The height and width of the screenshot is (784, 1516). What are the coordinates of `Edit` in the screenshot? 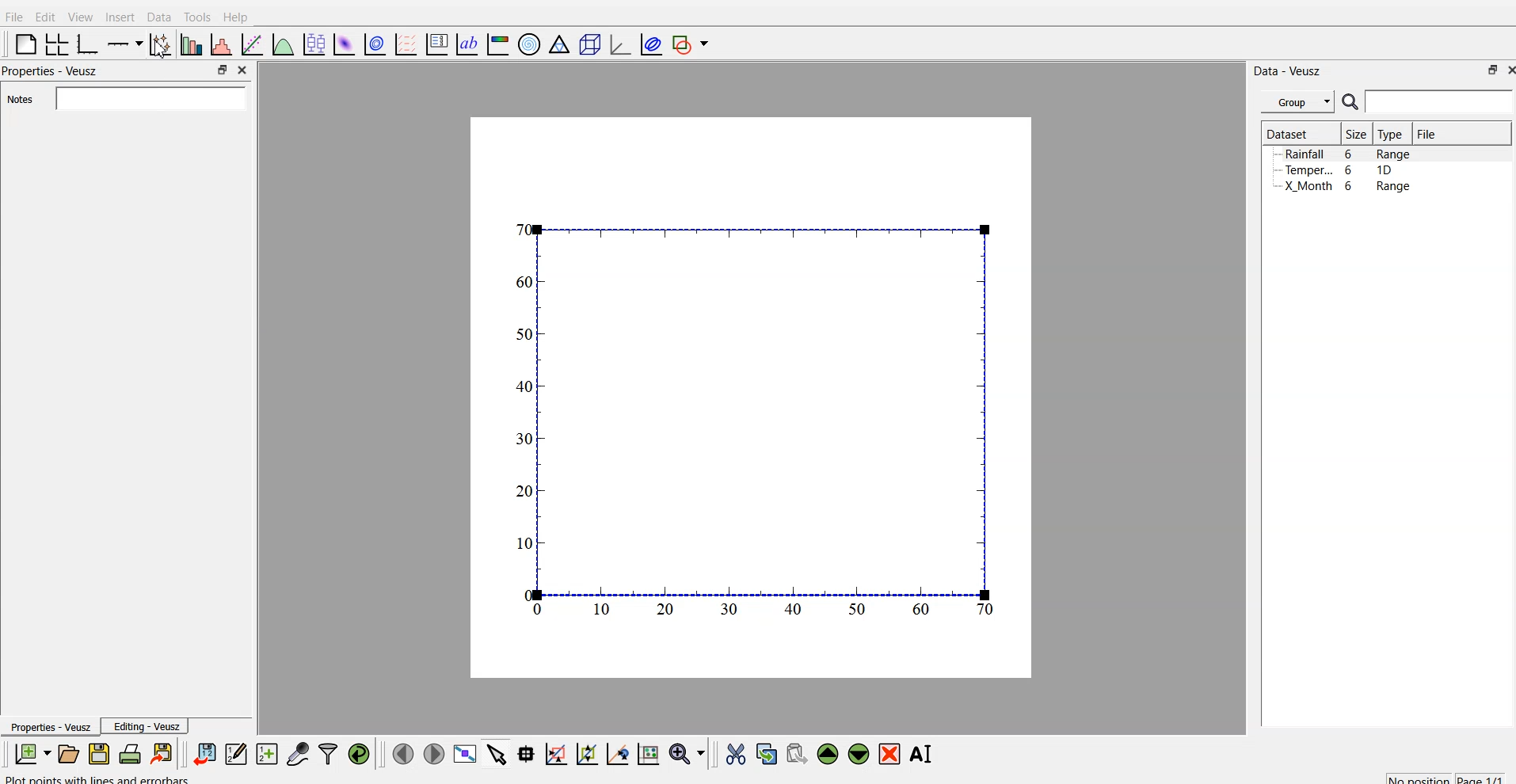 It's located at (43, 17).